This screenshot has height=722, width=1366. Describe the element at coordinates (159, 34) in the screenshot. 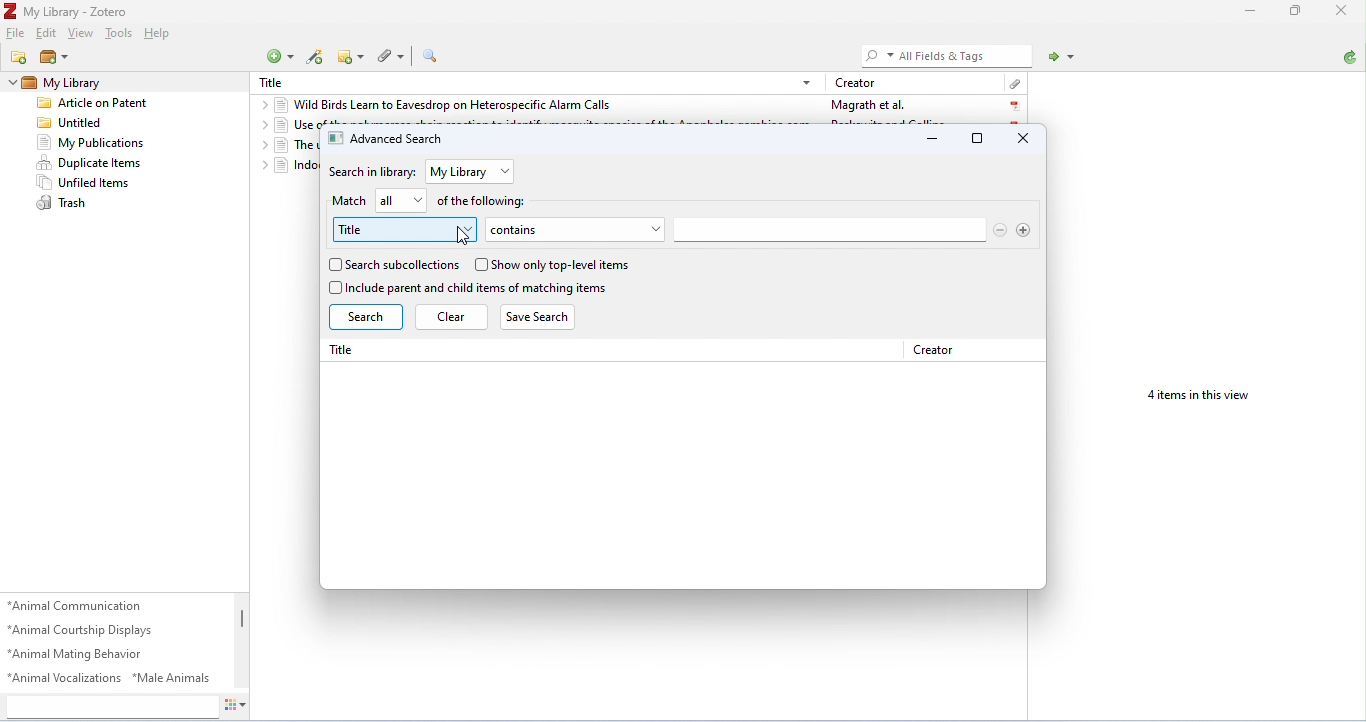

I see `help` at that location.